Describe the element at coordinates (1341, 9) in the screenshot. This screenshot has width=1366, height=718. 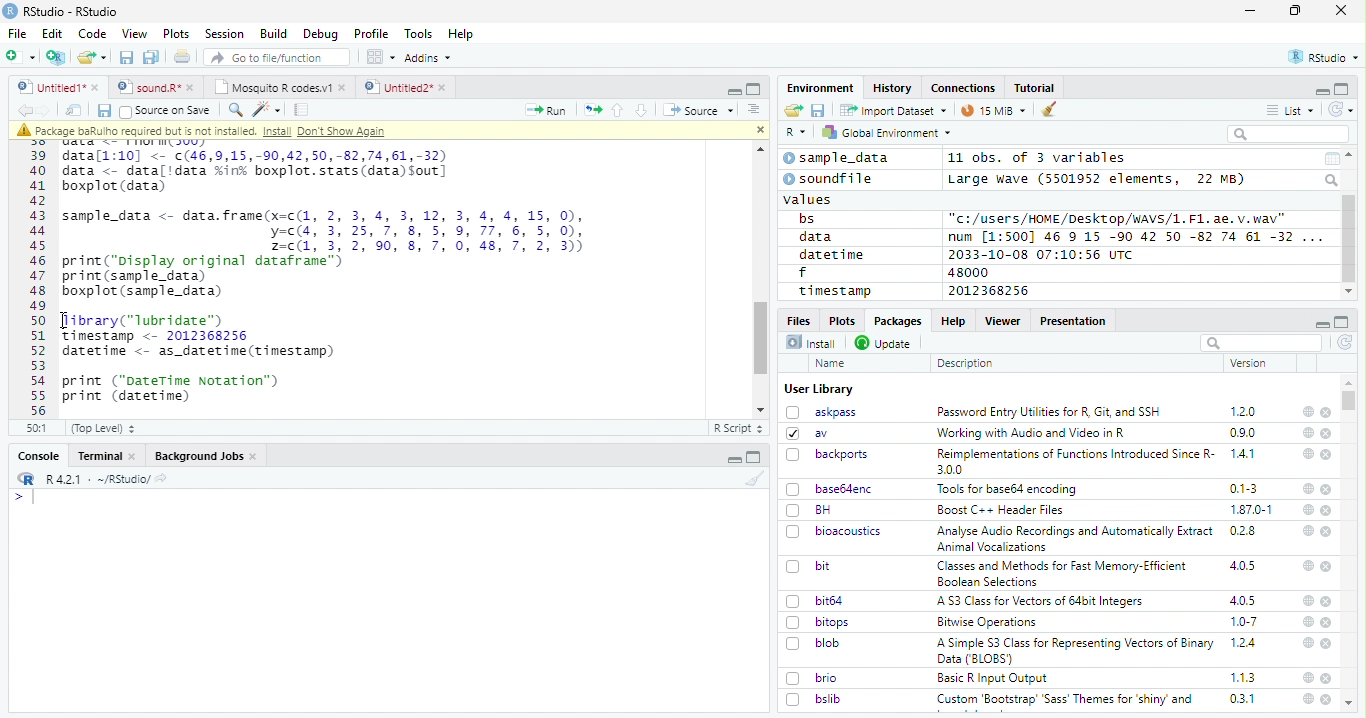
I see `close` at that location.